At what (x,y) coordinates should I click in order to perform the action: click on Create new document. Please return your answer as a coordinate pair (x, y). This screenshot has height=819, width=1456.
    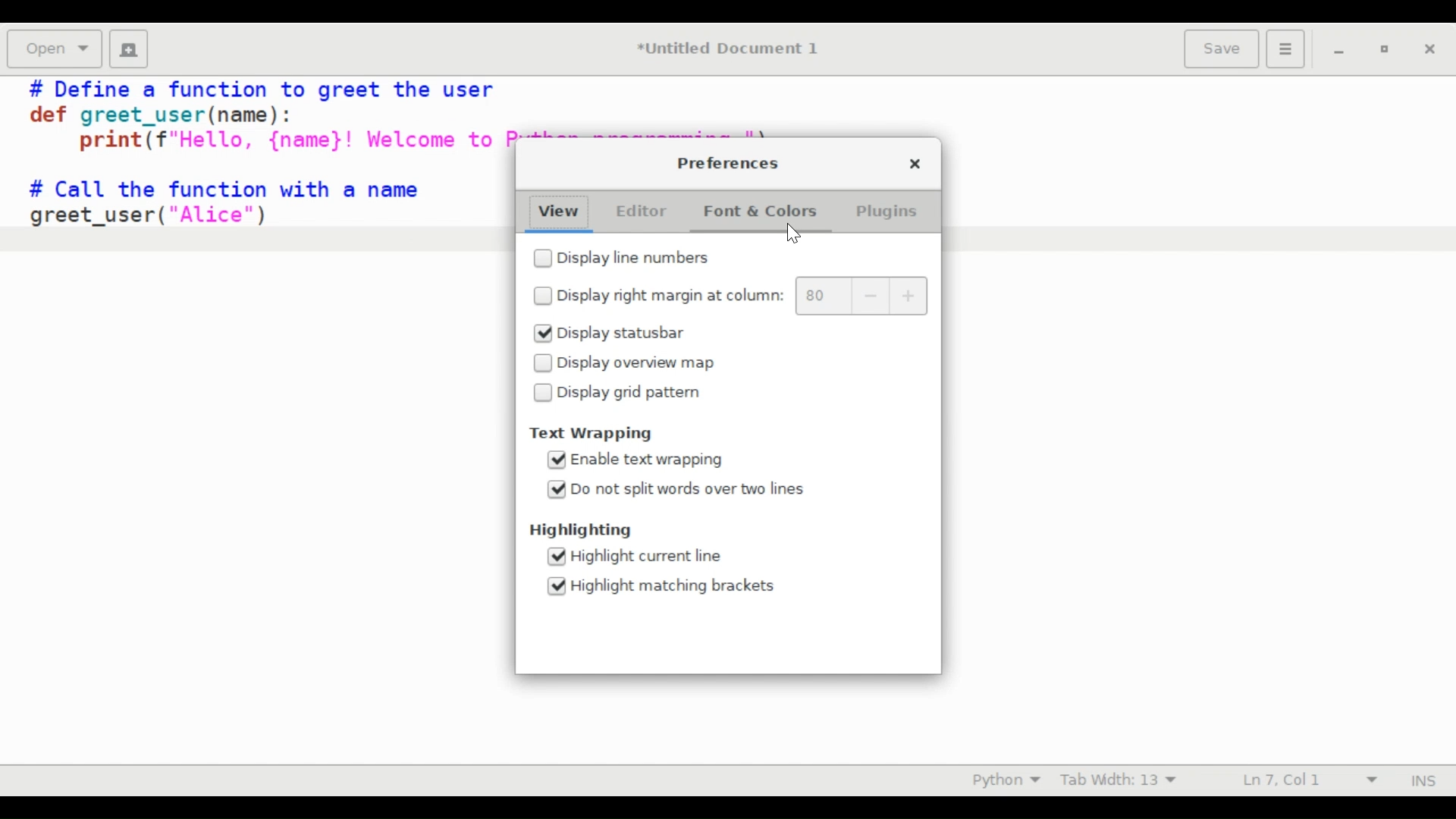
    Looking at the image, I should click on (128, 49).